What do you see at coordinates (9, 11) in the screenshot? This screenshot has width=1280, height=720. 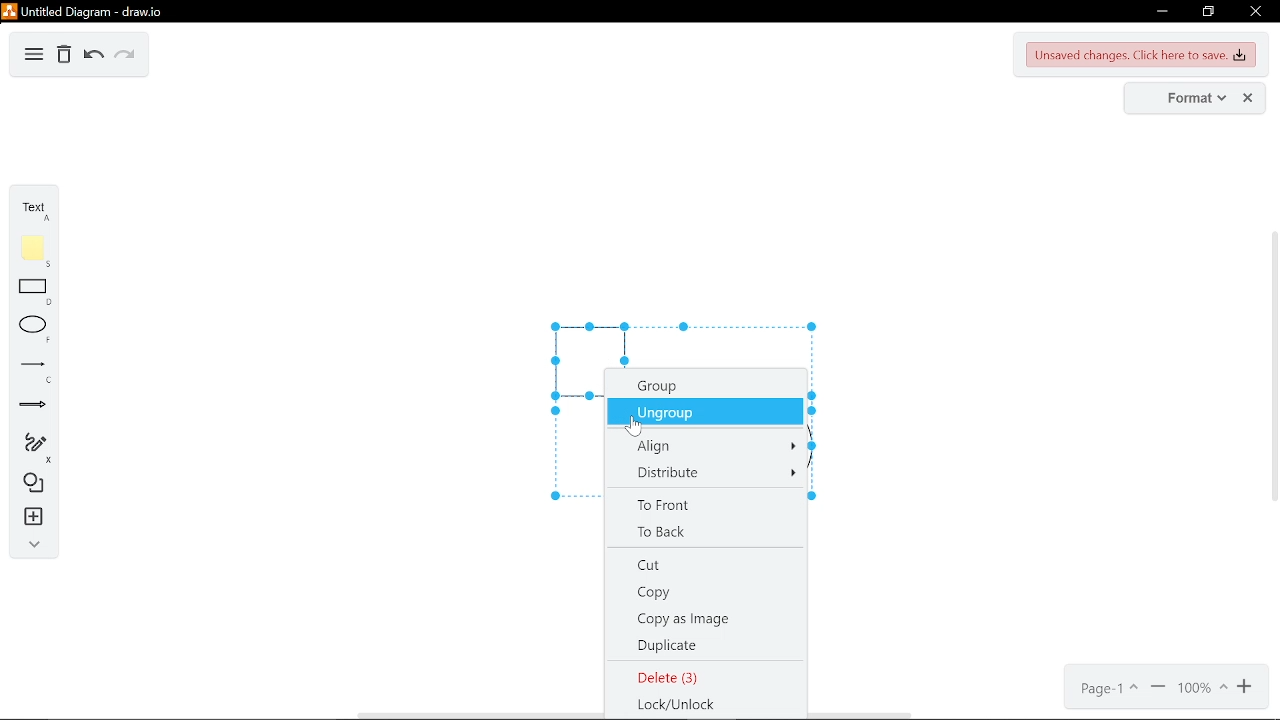 I see `logo` at bounding box center [9, 11].